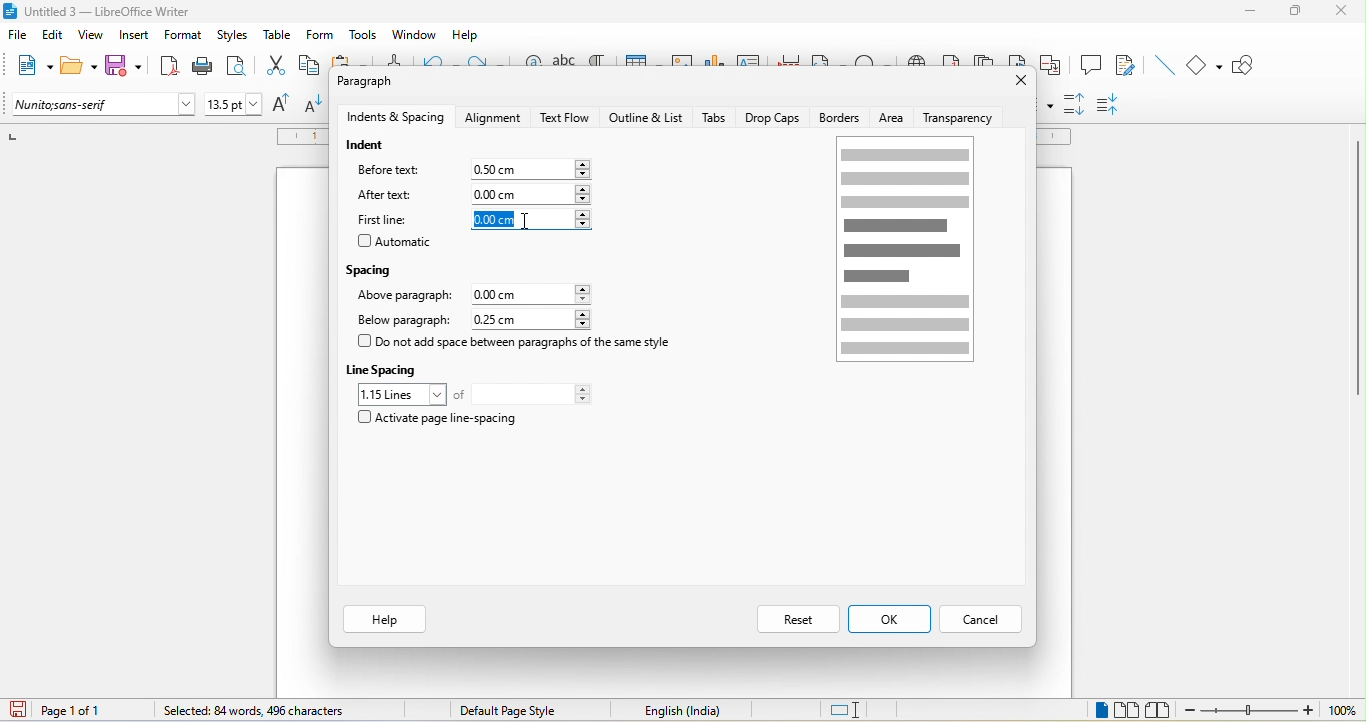  I want to click on standard selection, so click(847, 711).